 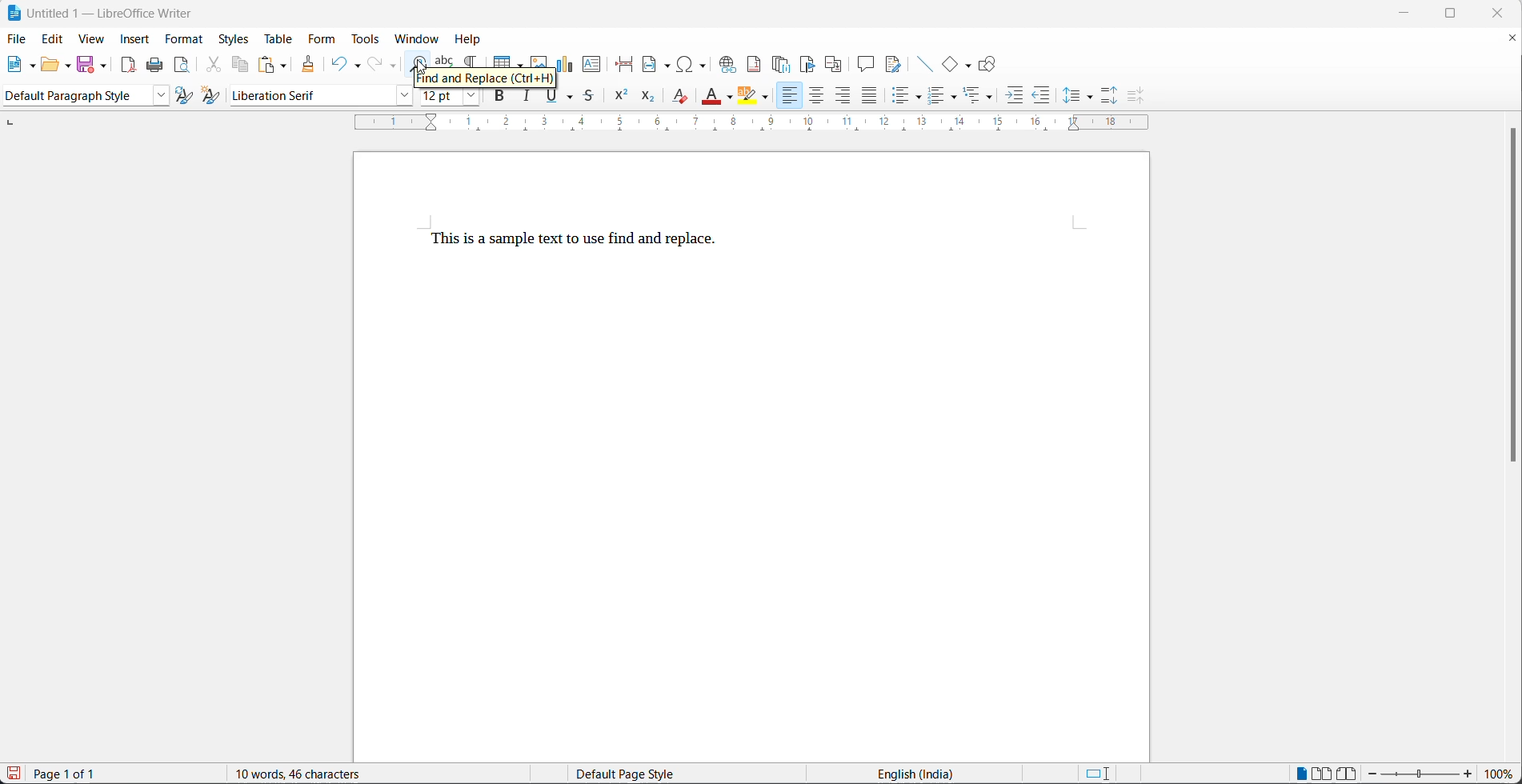 What do you see at coordinates (747, 96) in the screenshot?
I see `character highlight` at bounding box center [747, 96].